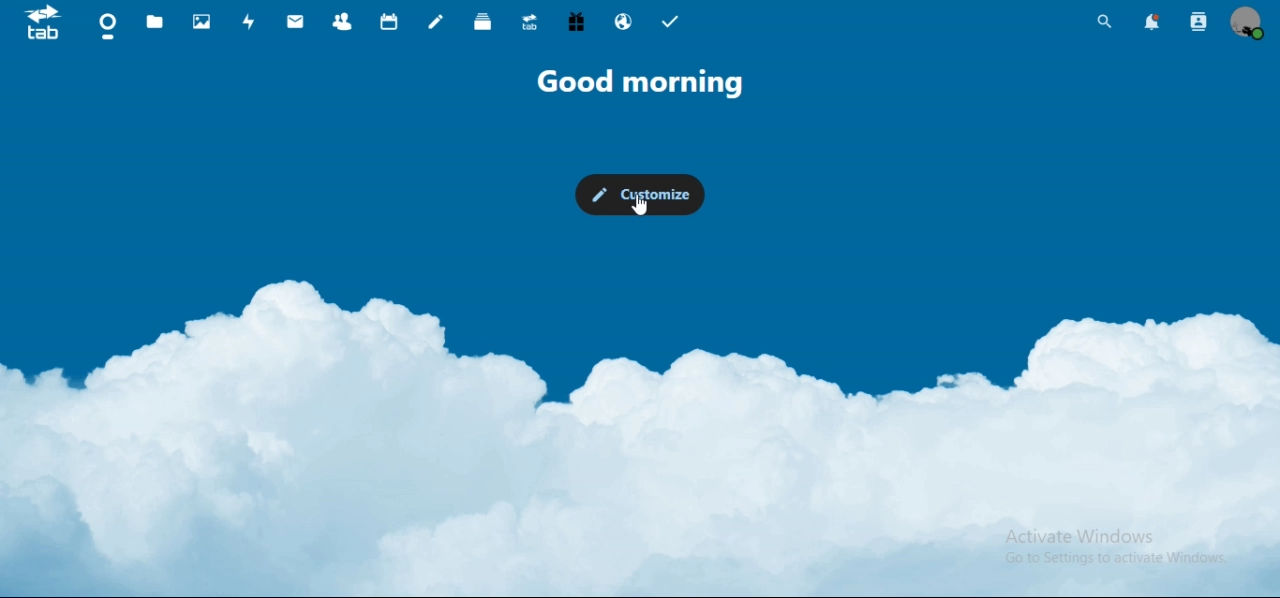 This screenshot has height=598, width=1280. Describe the element at coordinates (530, 23) in the screenshot. I see `upgrade` at that location.